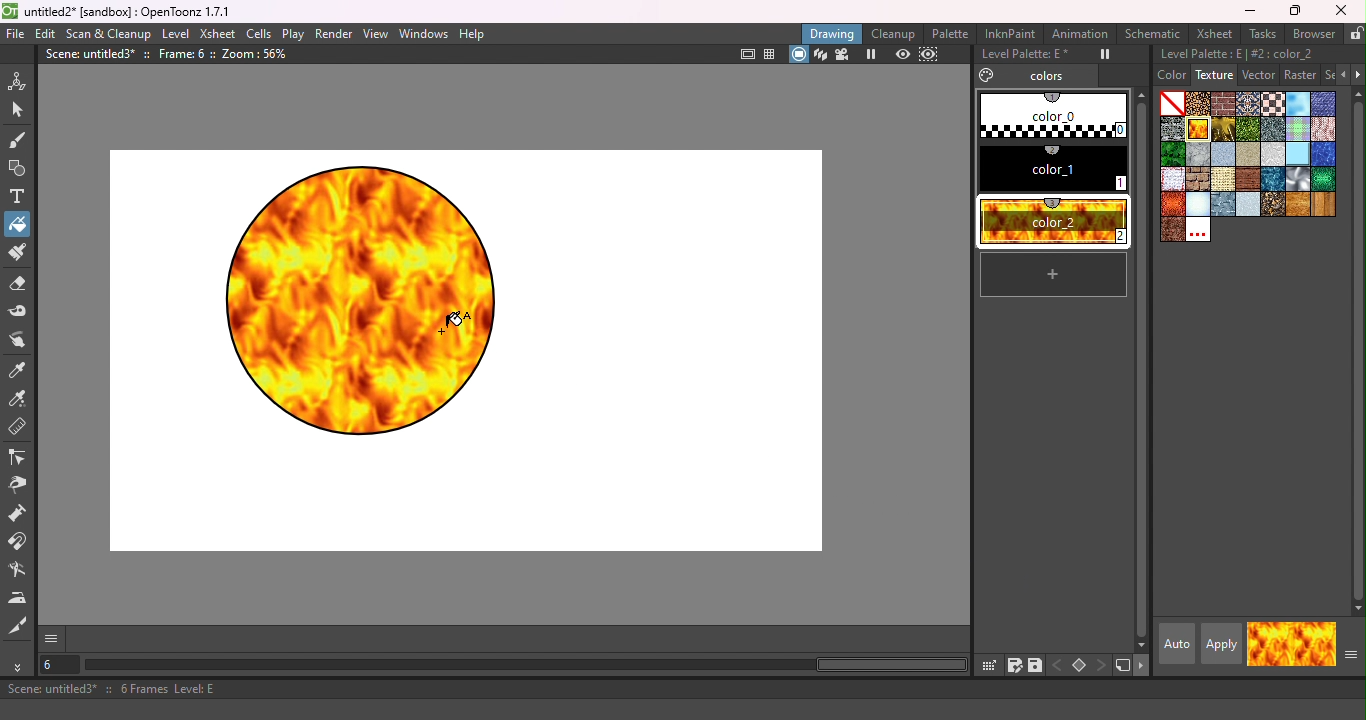  Describe the element at coordinates (1224, 103) in the screenshot. I see `Brickwork.bmp` at that location.